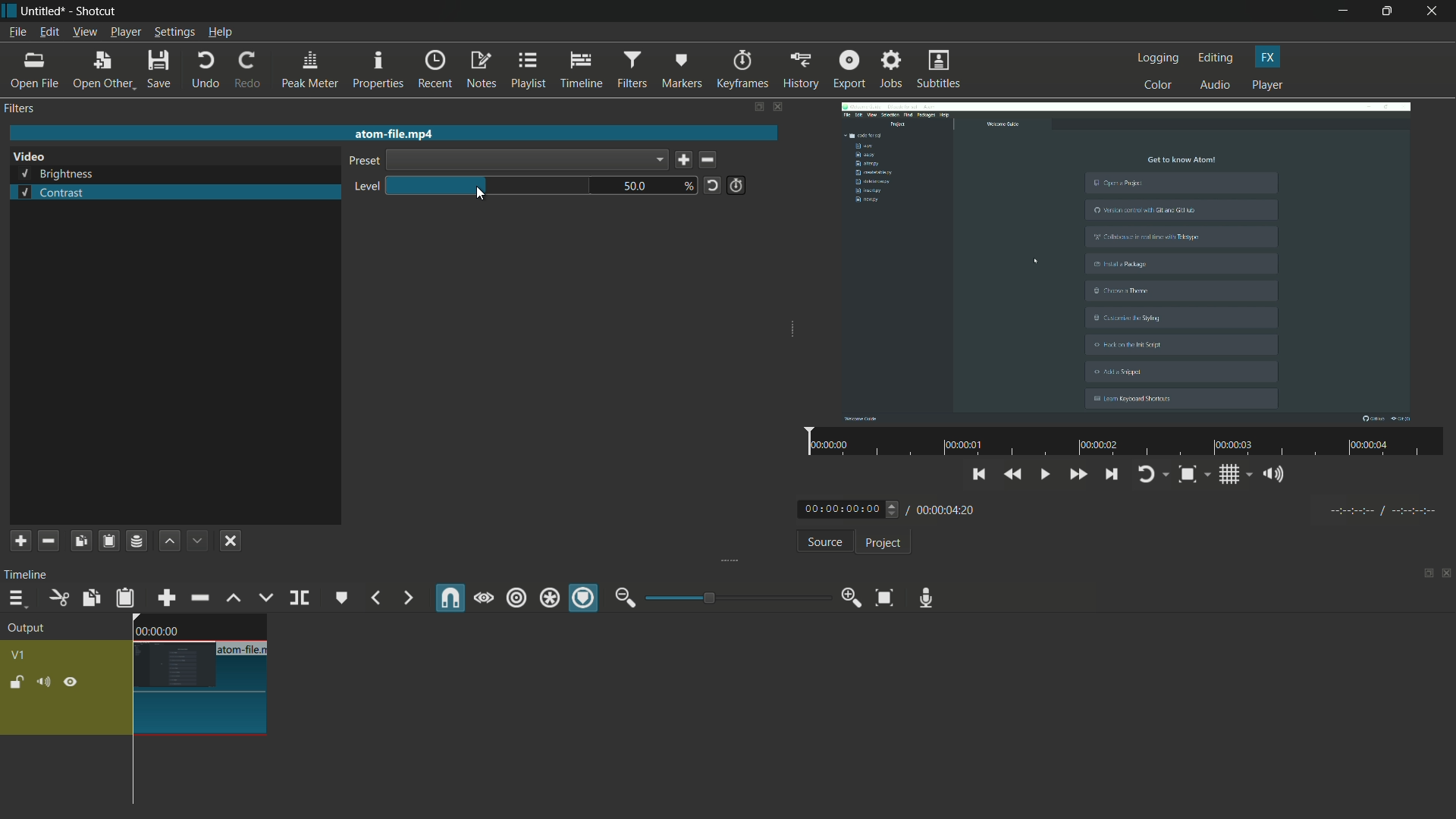  Describe the element at coordinates (683, 161) in the screenshot. I see `save` at that location.